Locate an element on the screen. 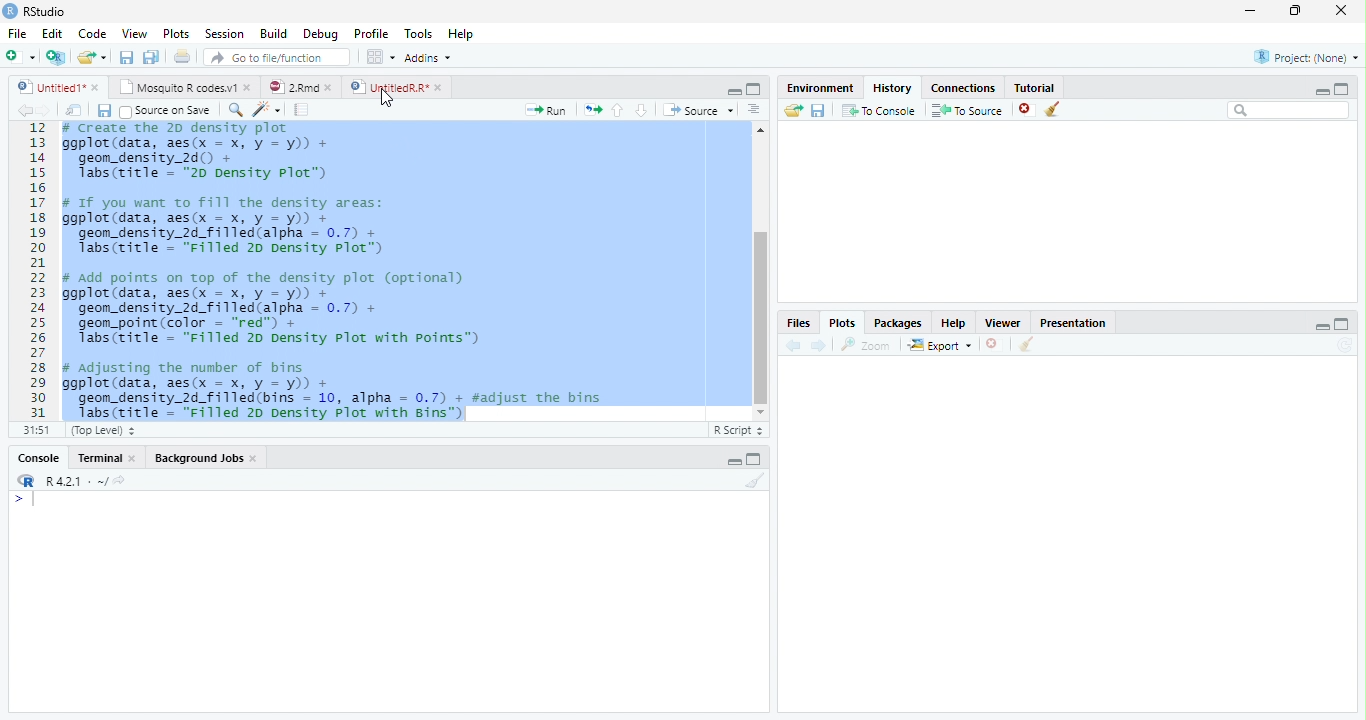 Image resolution: width=1366 pixels, height=720 pixels. Tools is located at coordinates (419, 34).